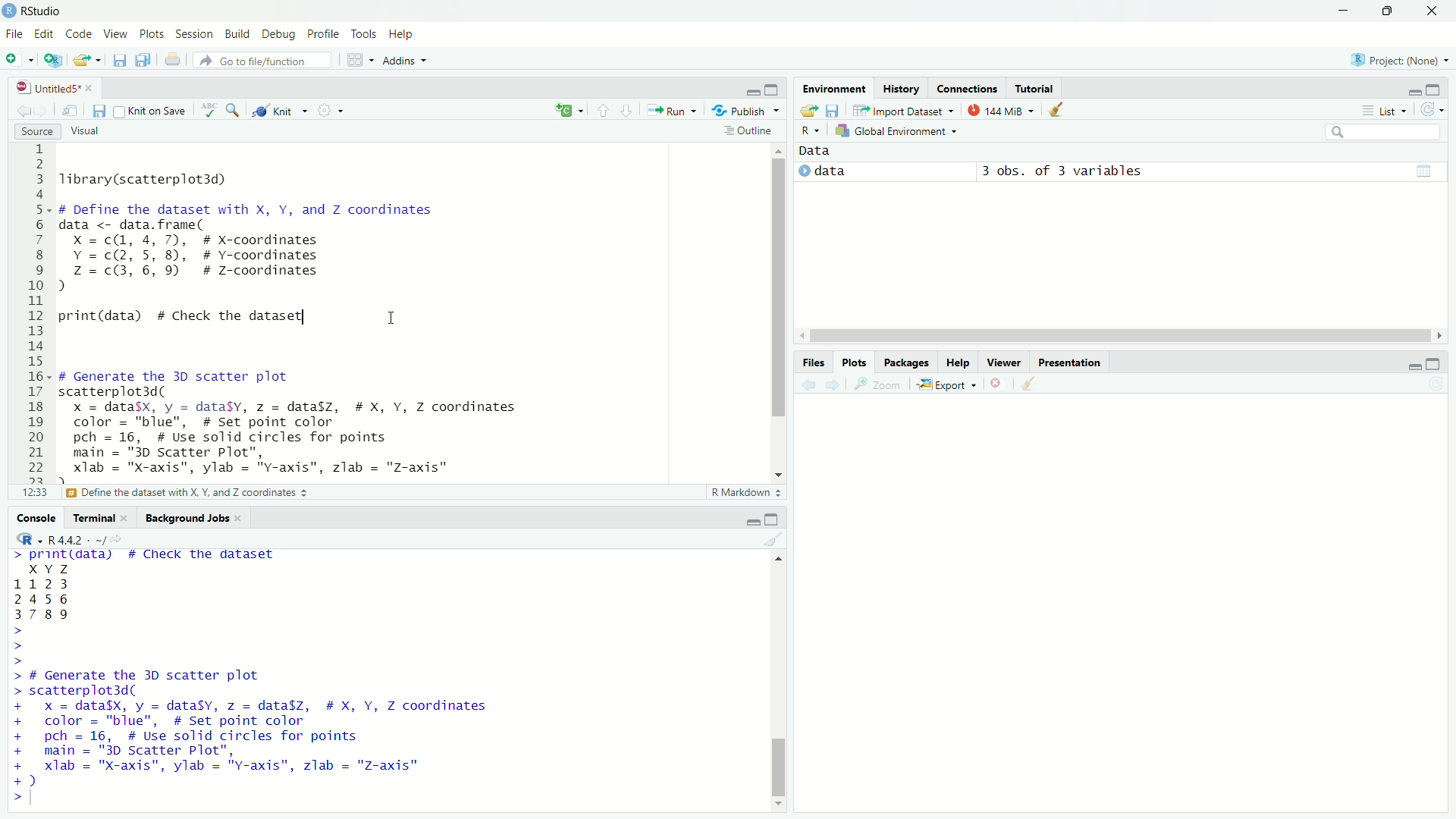 Image resolution: width=1456 pixels, height=819 pixels. Describe the element at coordinates (330, 109) in the screenshot. I see `settings` at that location.